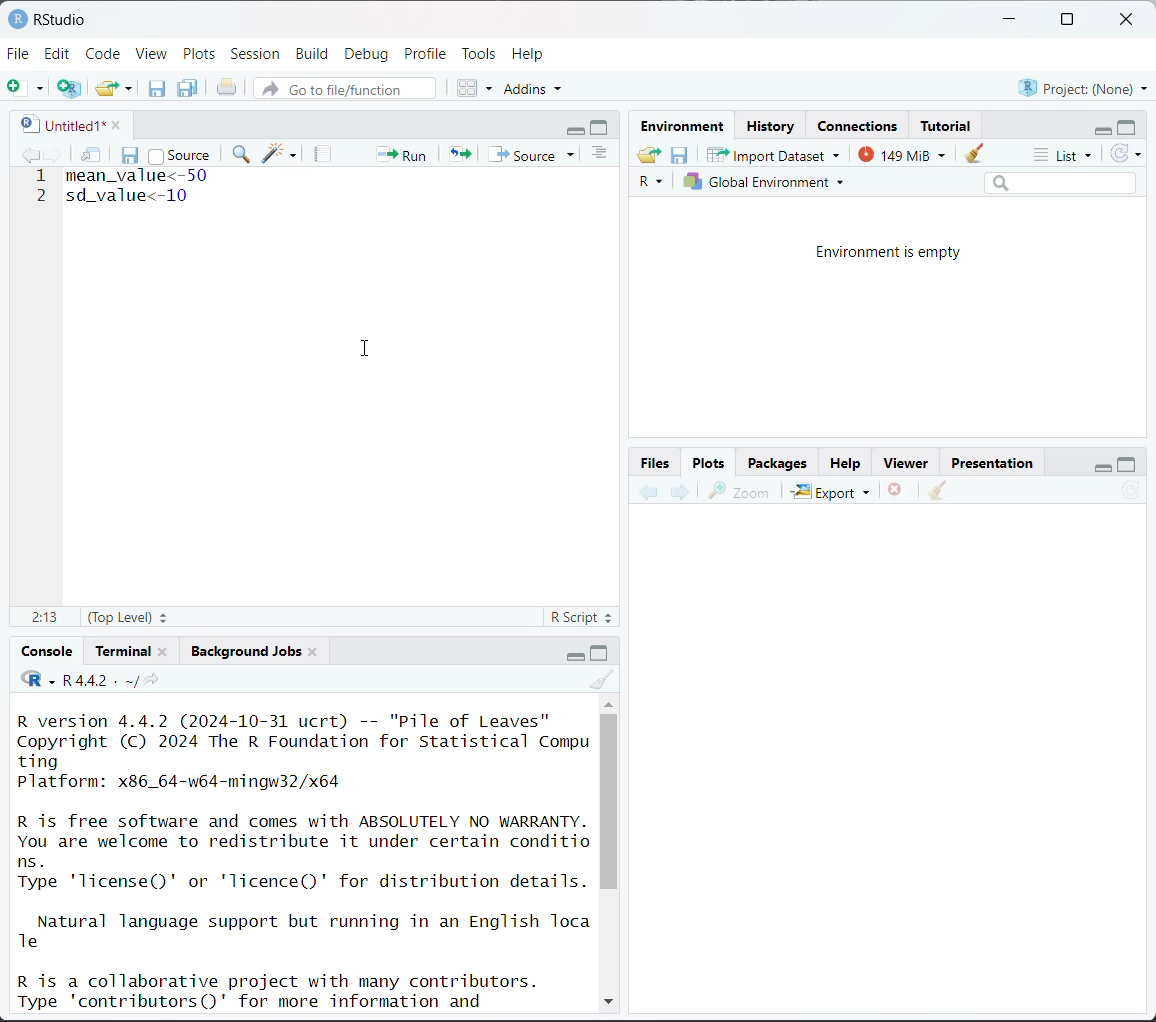  What do you see at coordinates (369, 349) in the screenshot?
I see `cursor` at bounding box center [369, 349].